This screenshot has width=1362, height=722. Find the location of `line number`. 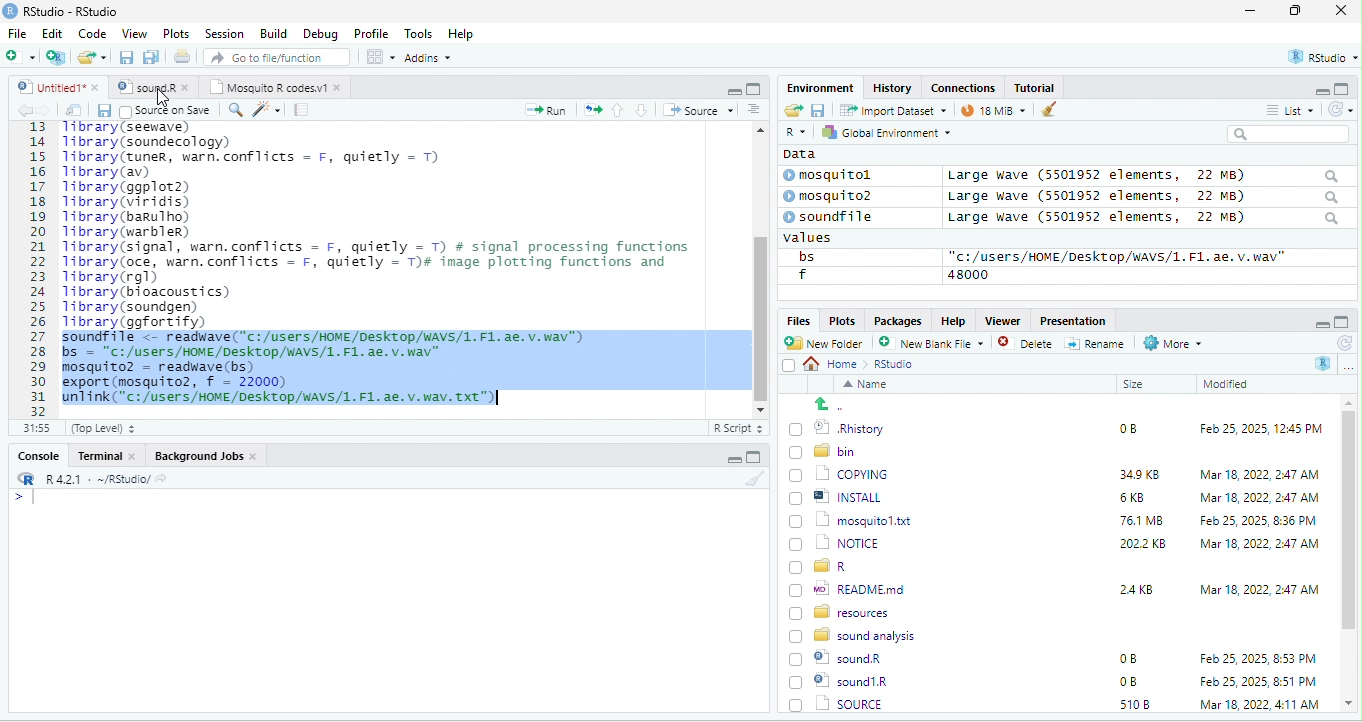

line number is located at coordinates (40, 268).